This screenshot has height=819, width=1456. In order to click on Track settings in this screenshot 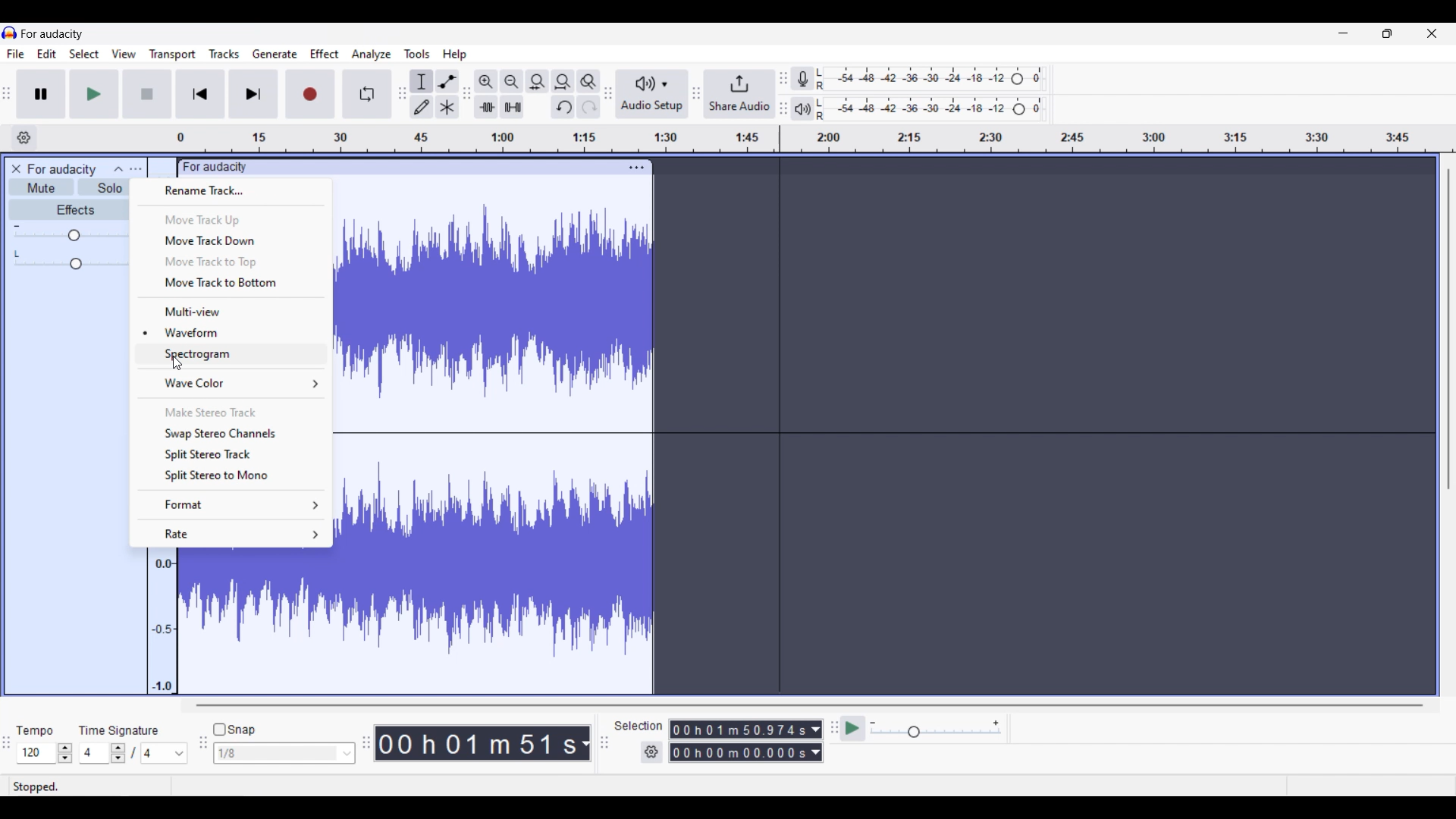, I will do `click(637, 168)`.